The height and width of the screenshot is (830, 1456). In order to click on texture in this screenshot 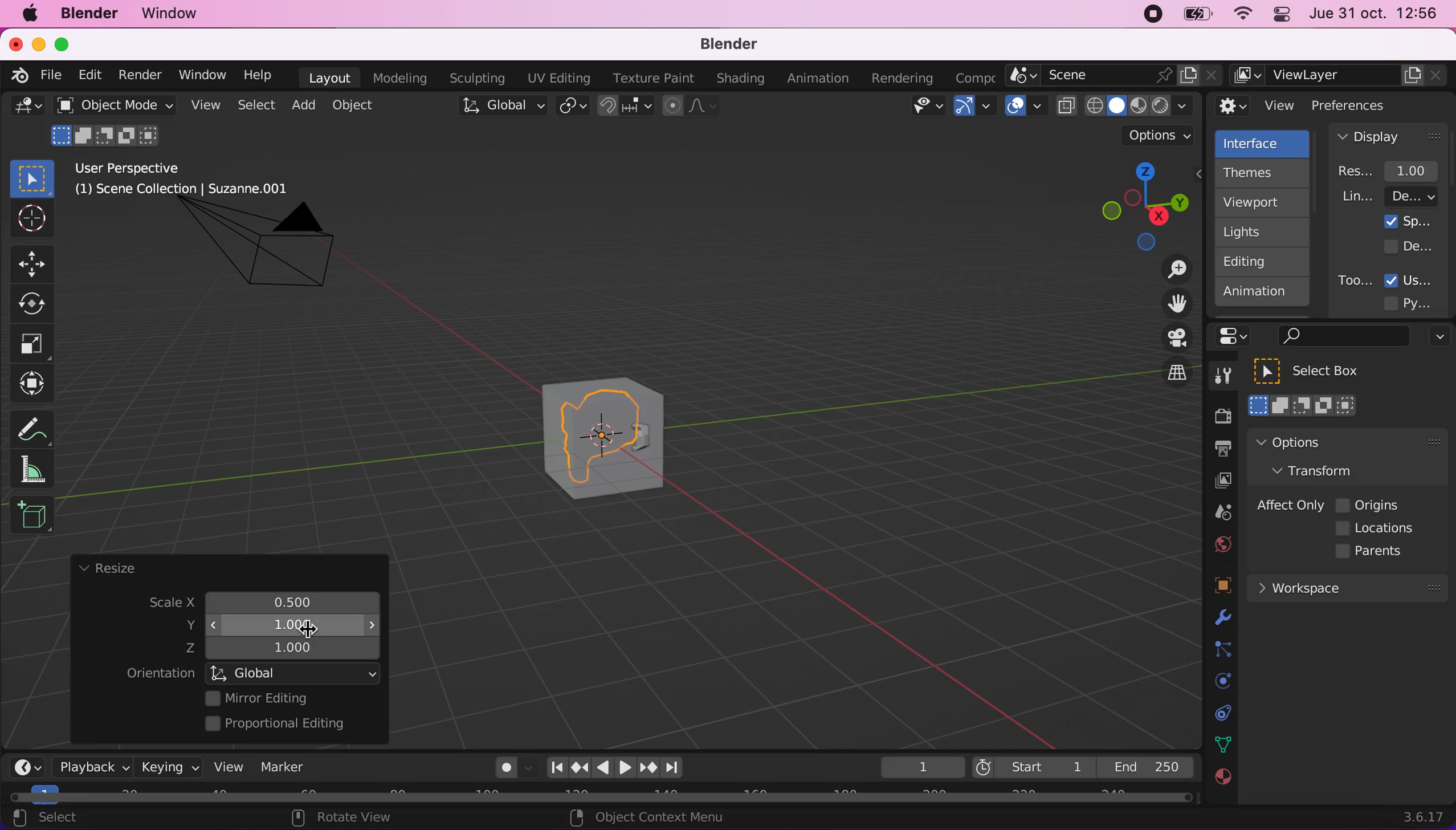, I will do `click(1221, 783)`.